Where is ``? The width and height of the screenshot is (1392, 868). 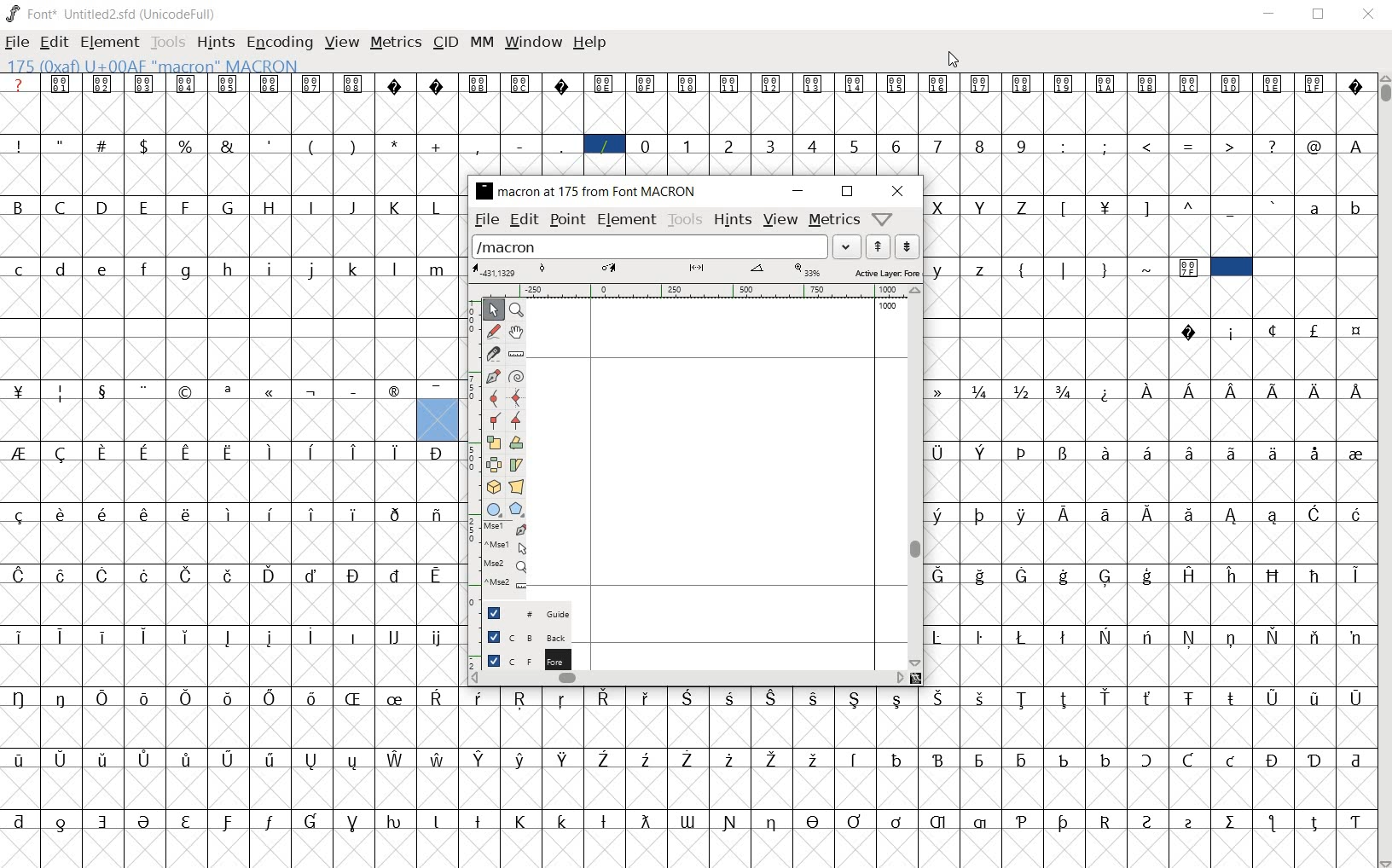
 is located at coordinates (1190, 758).